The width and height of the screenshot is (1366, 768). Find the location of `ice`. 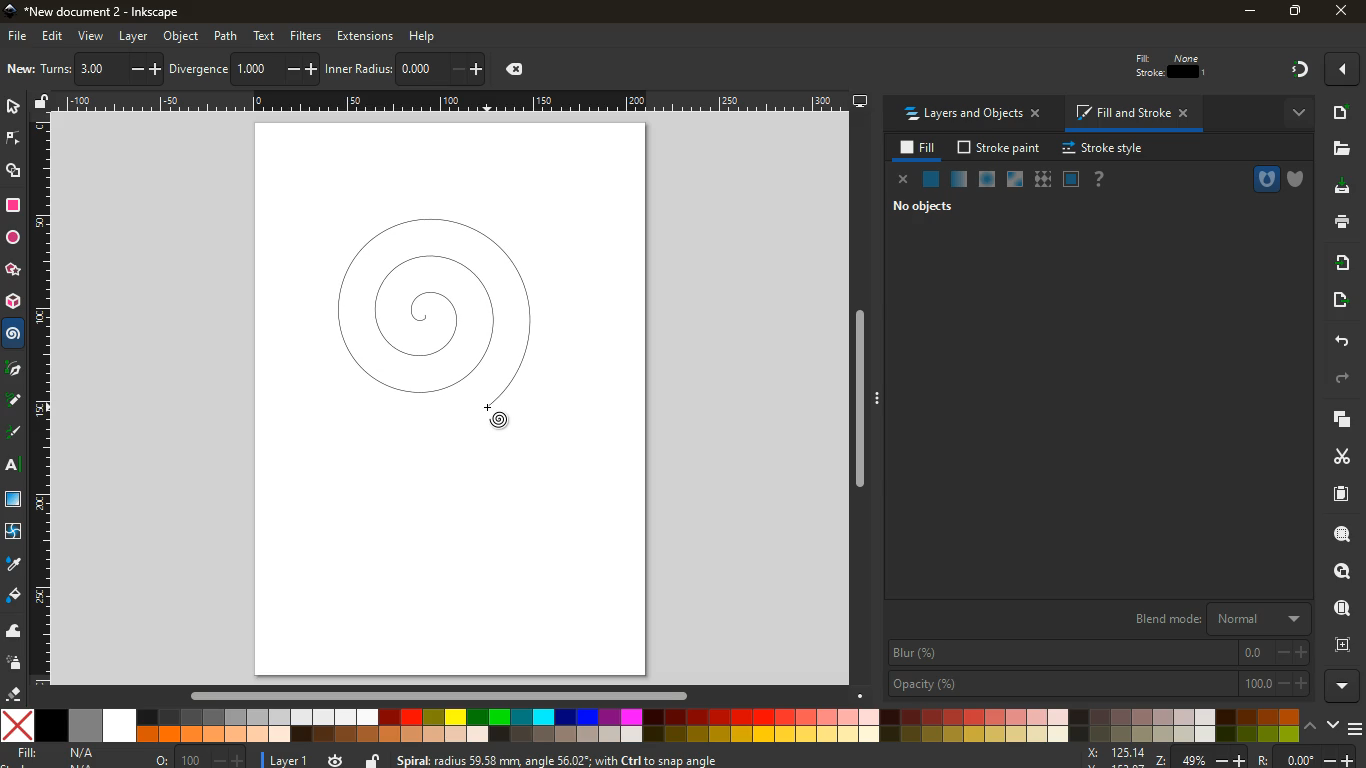

ice is located at coordinates (983, 180).